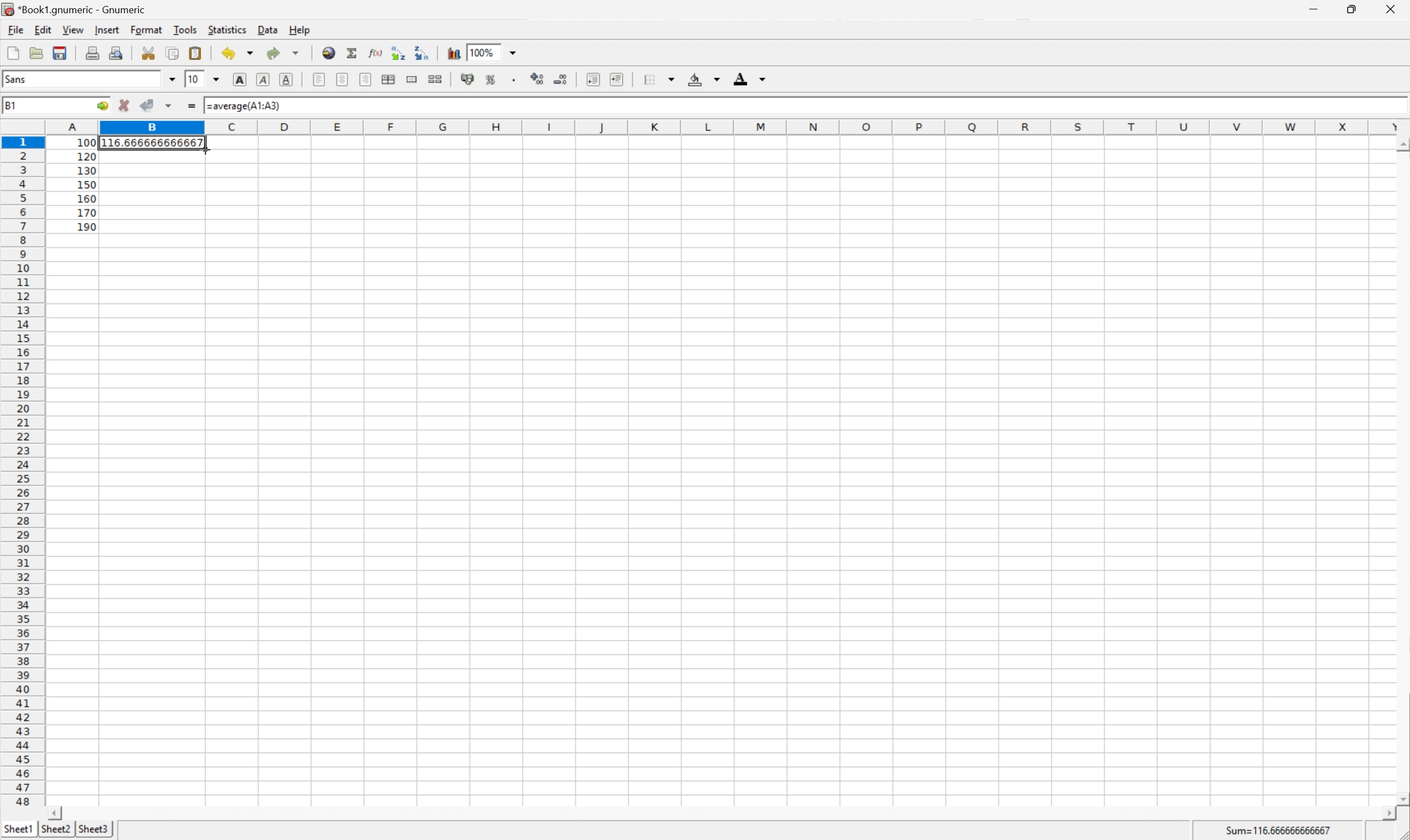 Image resolution: width=1410 pixels, height=840 pixels. Describe the element at coordinates (453, 52) in the screenshot. I see `Insert a chart` at that location.